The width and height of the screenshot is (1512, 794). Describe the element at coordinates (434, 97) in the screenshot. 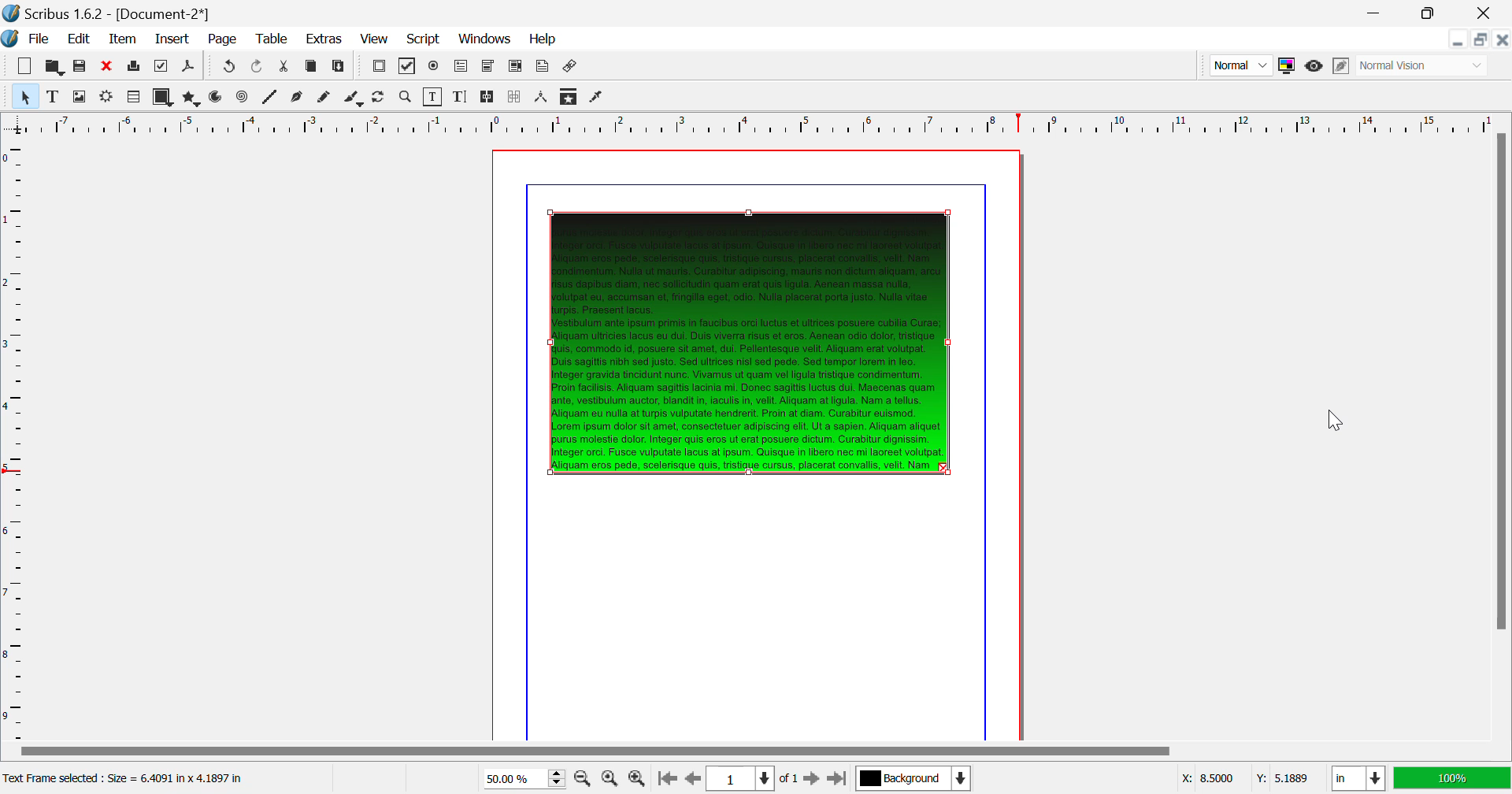

I see `Edit Contents of Frame` at that location.